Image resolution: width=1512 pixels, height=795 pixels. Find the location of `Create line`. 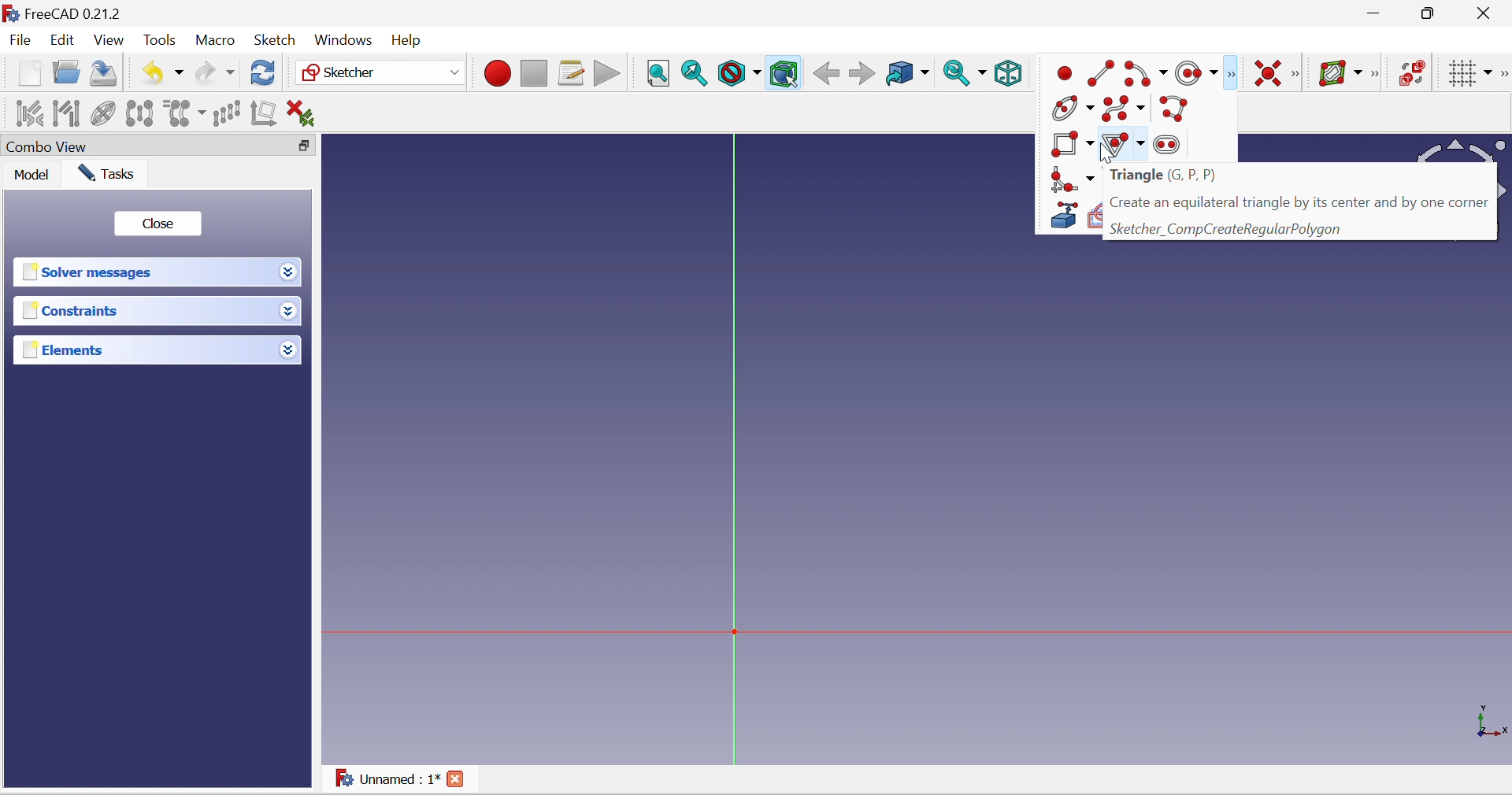

Create line is located at coordinates (1101, 72).